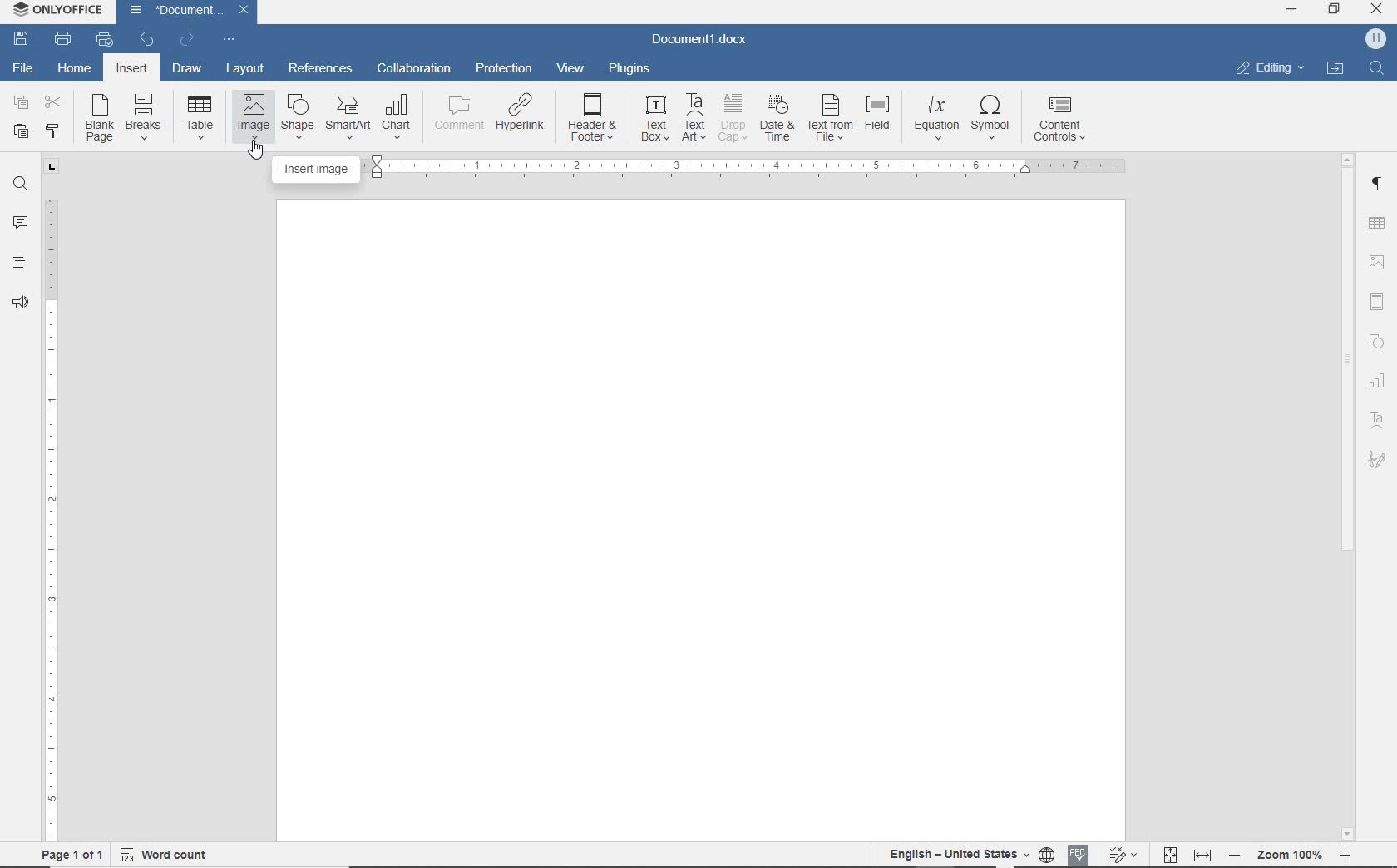 The width and height of the screenshot is (1397, 868). What do you see at coordinates (1077, 854) in the screenshot?
I see `spell checking` at bounding box center [1077, 854].